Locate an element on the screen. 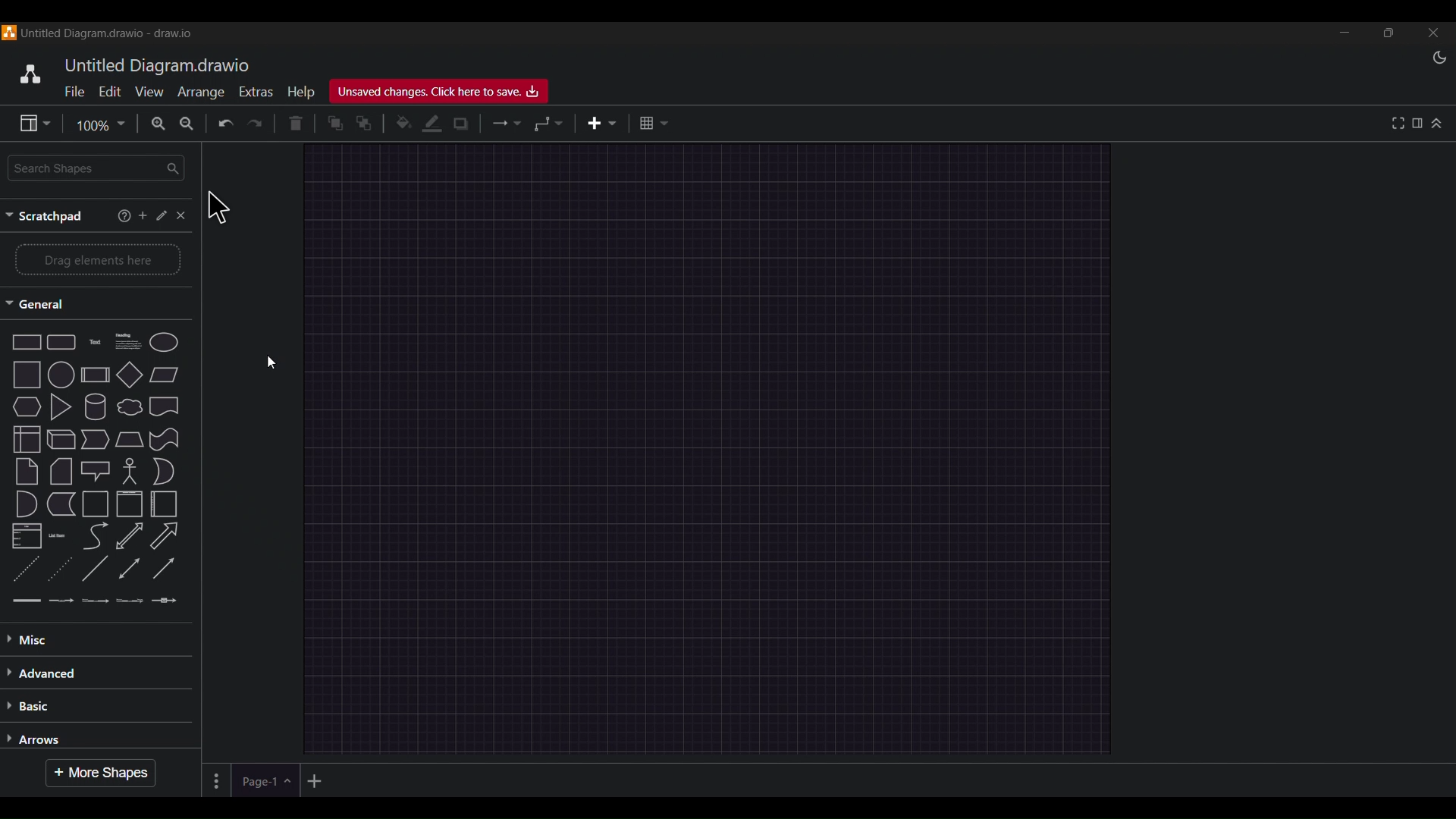  cursor is located at coordinates (214, 206).